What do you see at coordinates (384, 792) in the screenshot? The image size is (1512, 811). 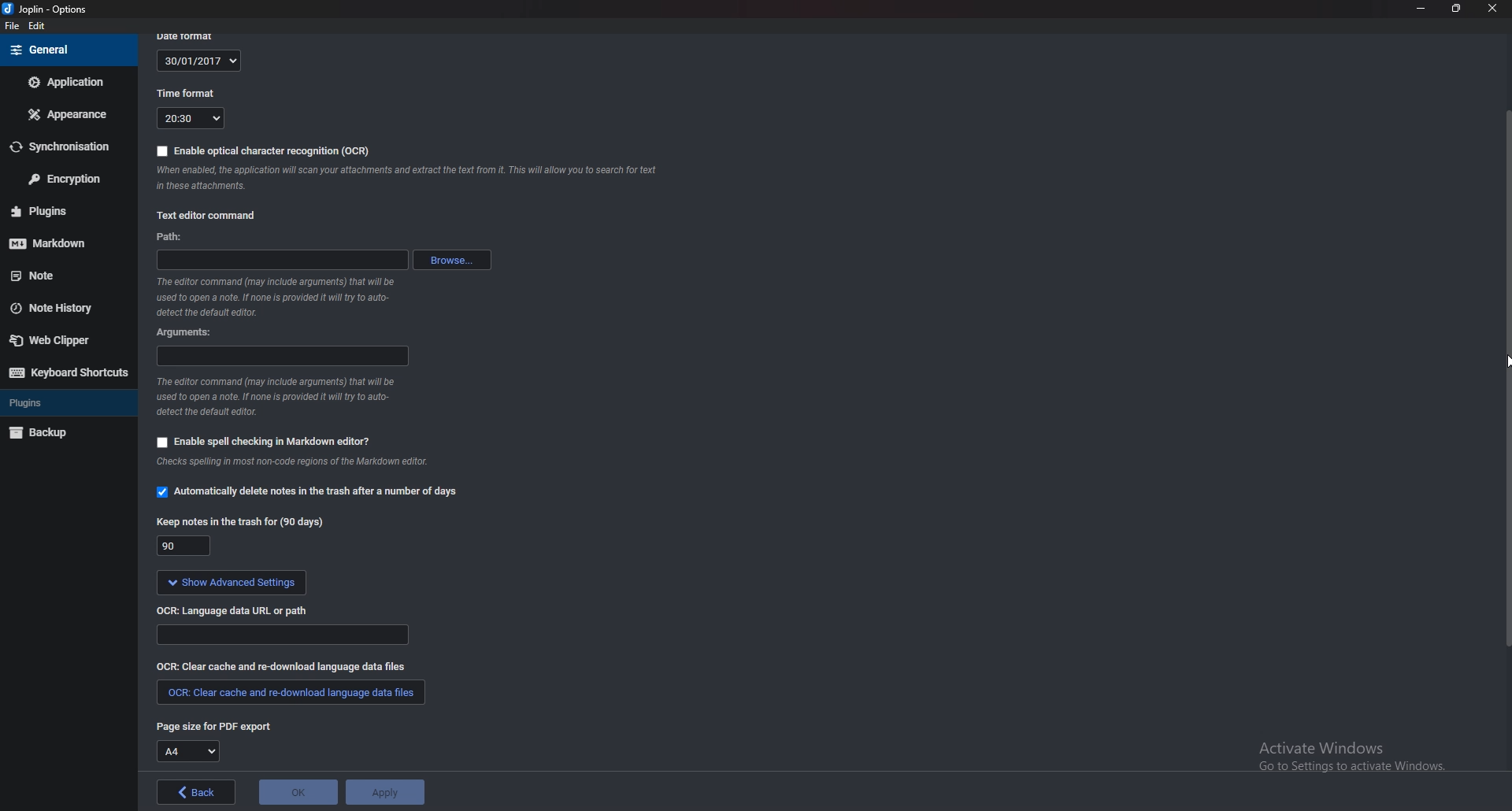 I see `apply` at bounding box center [384, 792].